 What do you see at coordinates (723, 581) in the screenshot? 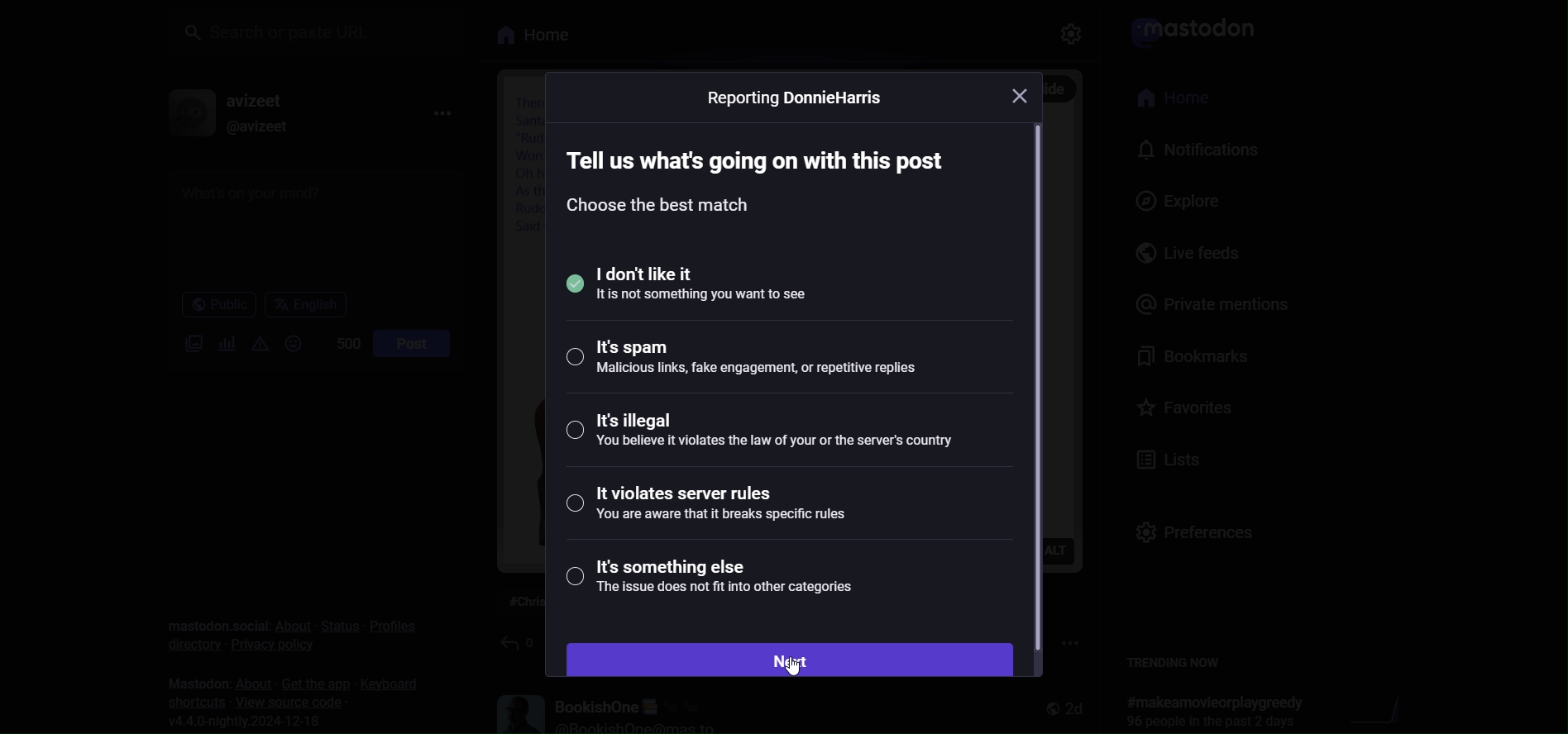
I see `It's something else
The issue does not fit into other categories` at bounding box center [723, 581].